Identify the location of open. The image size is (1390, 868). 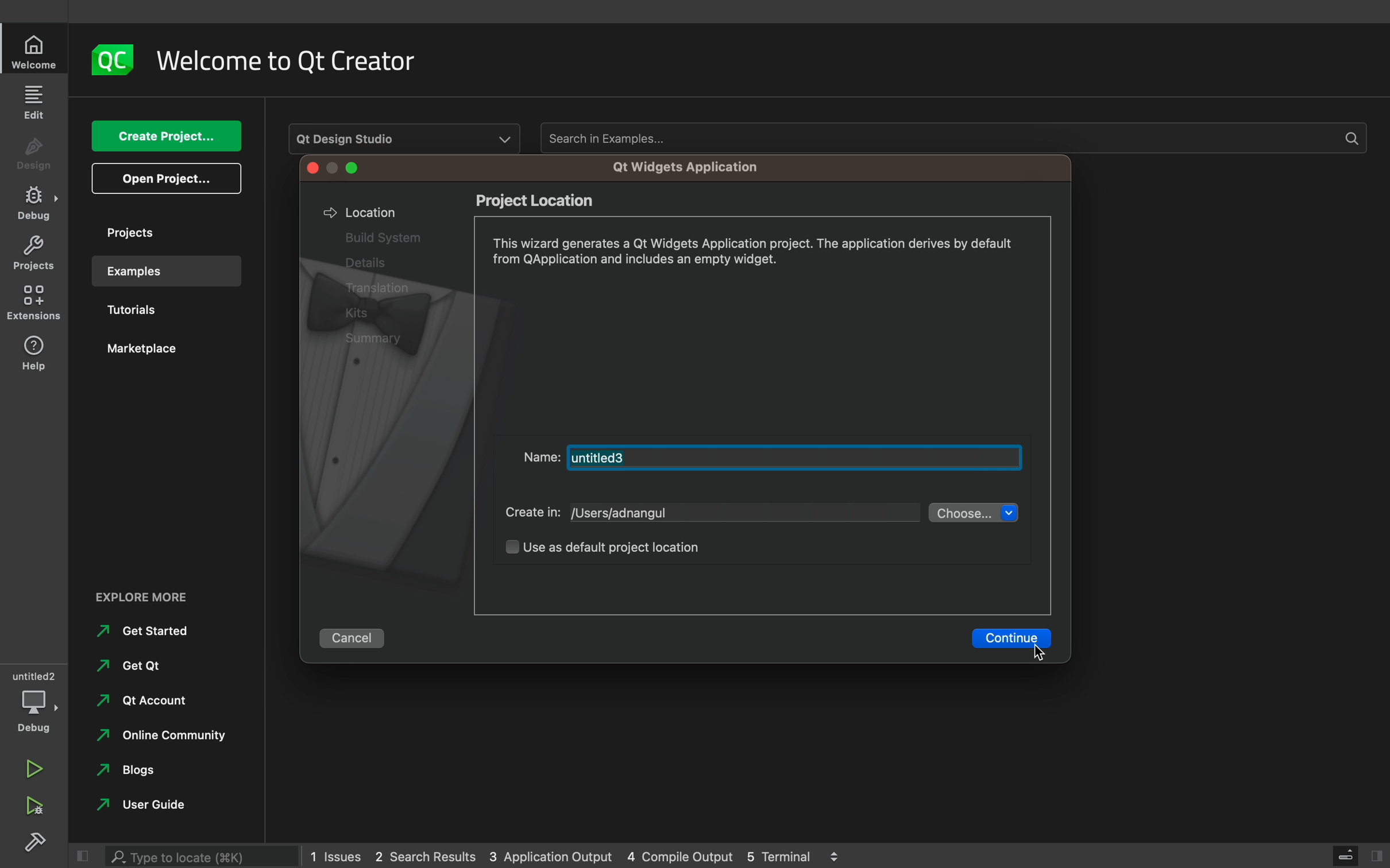
(167, 179).